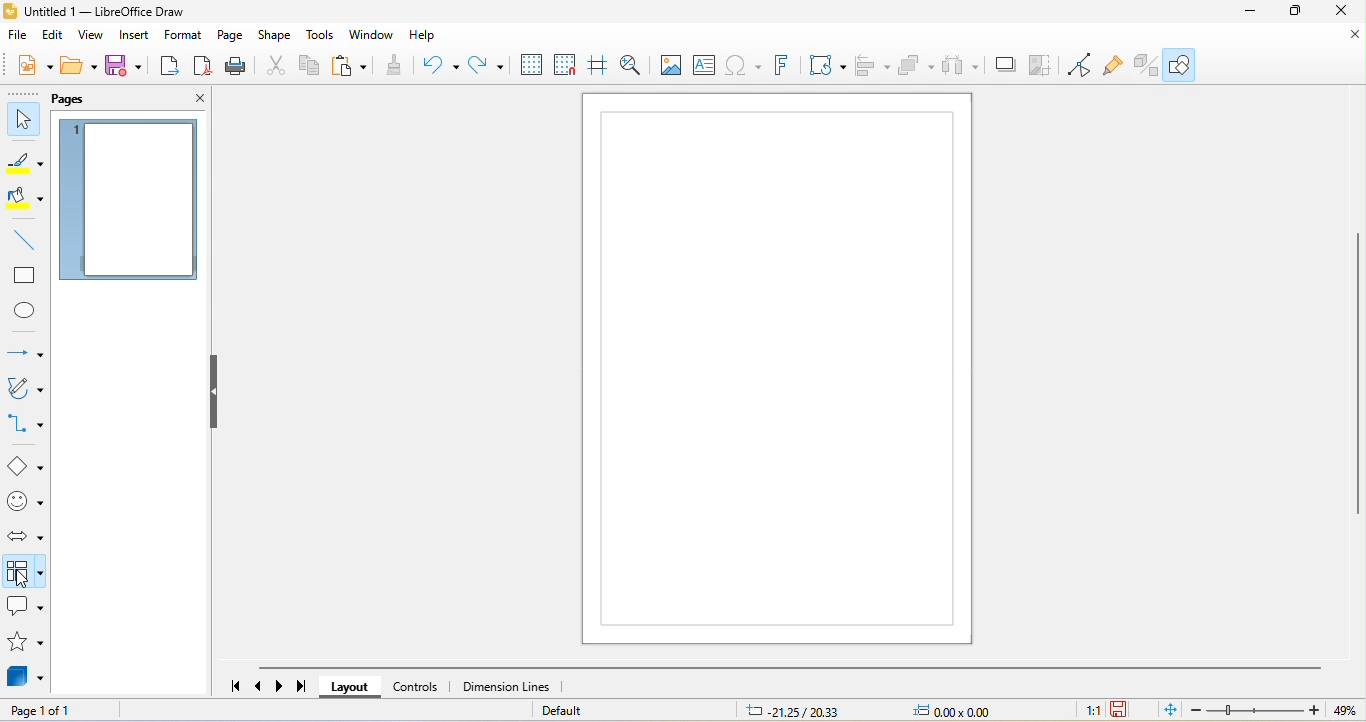 This screenshot has height=722, width=1366. I want to click on cut, so click(278, 68).